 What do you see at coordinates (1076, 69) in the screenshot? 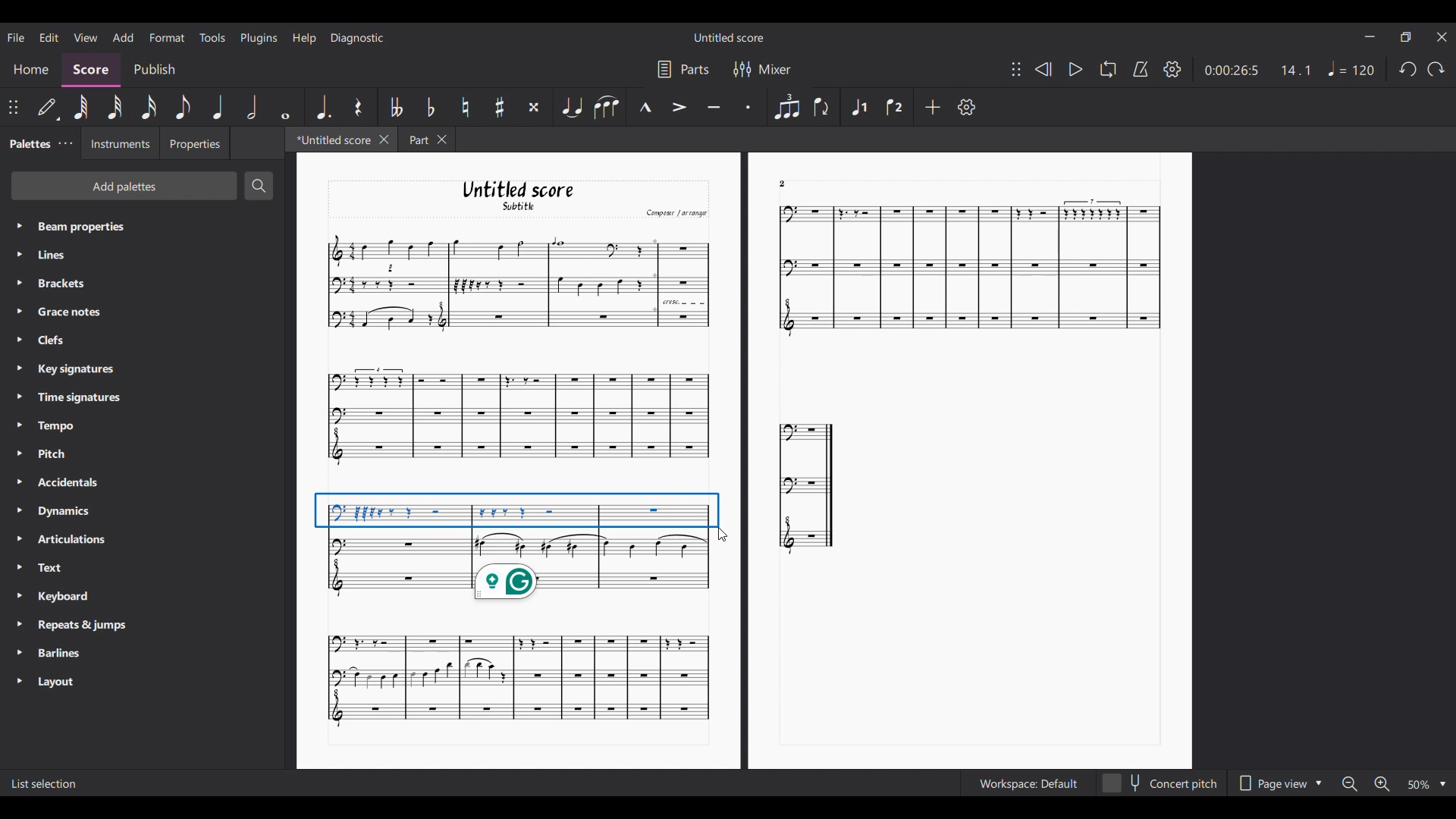
I see `Play` at bounding box center [1076, 69].